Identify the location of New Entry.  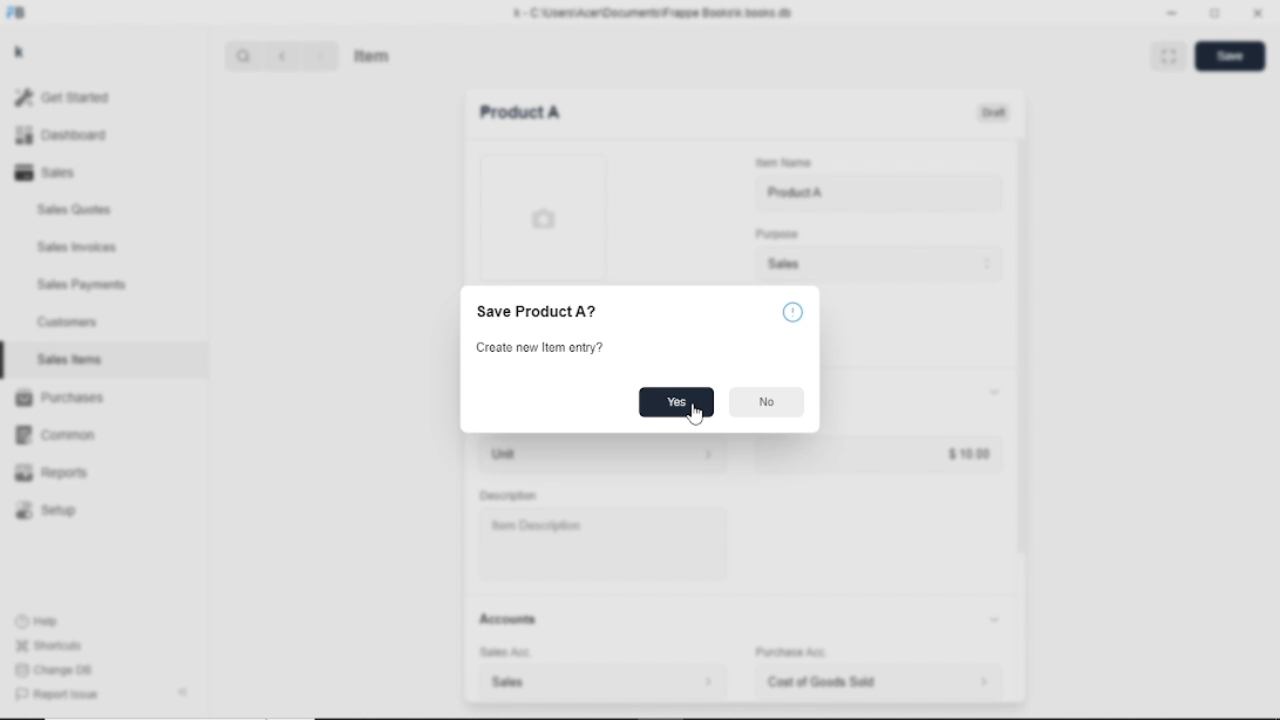
(520, 112).